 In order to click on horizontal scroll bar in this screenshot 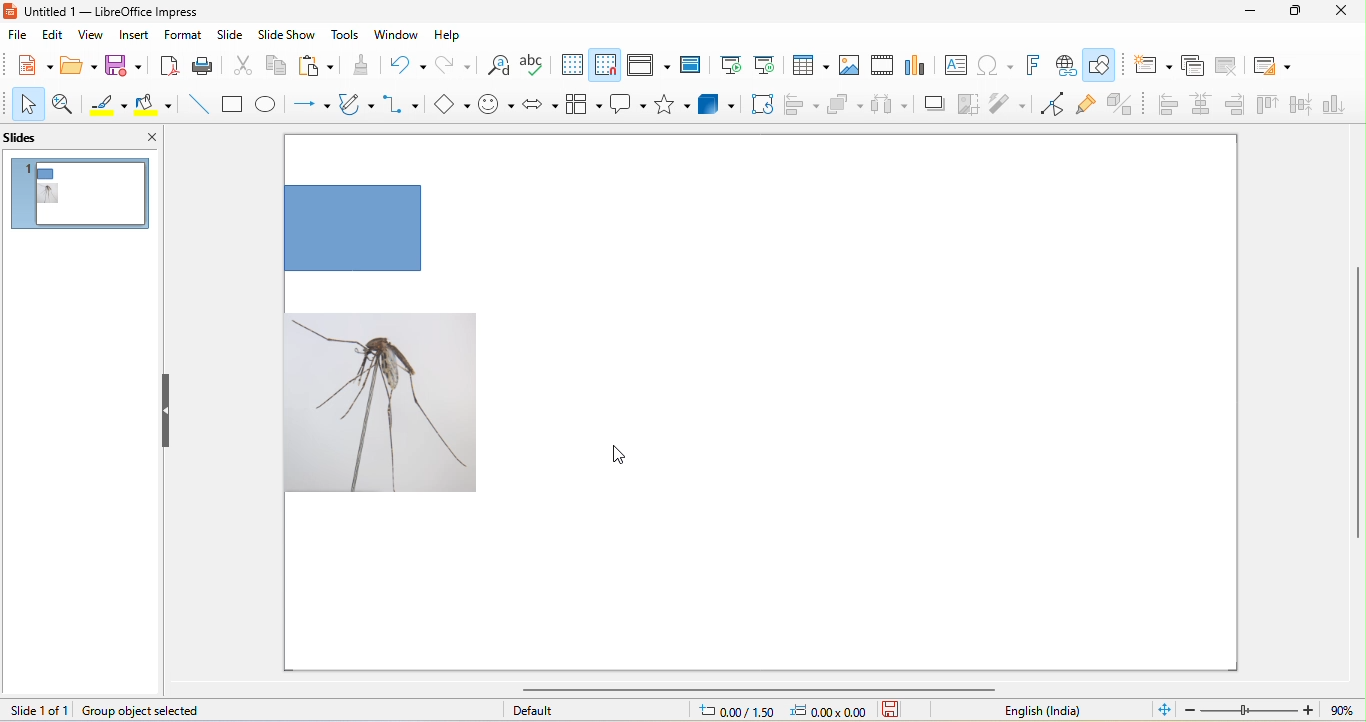, I will do `click(765, 689)`.